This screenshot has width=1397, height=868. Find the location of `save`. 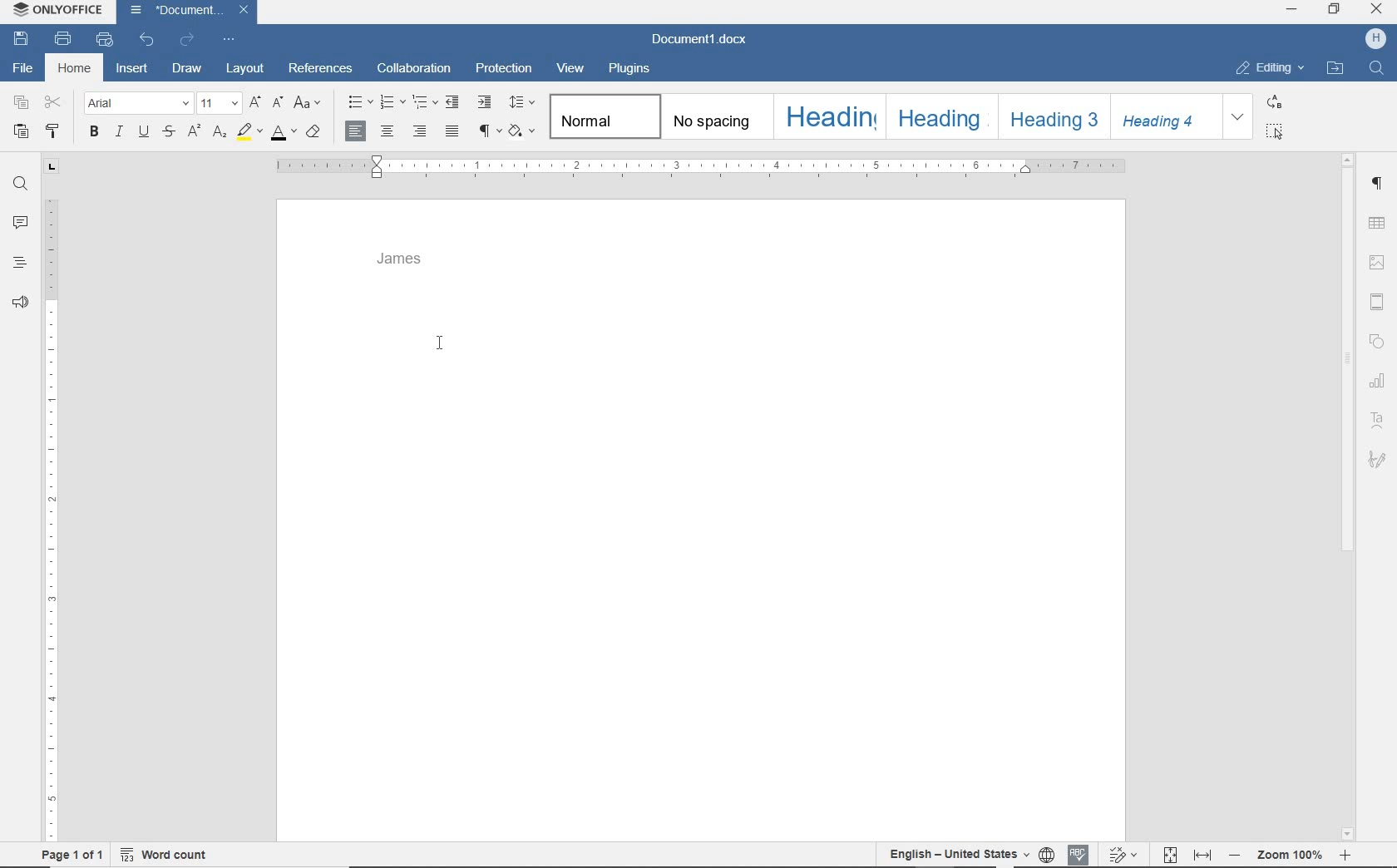

save is located at coordinates (22, 38).